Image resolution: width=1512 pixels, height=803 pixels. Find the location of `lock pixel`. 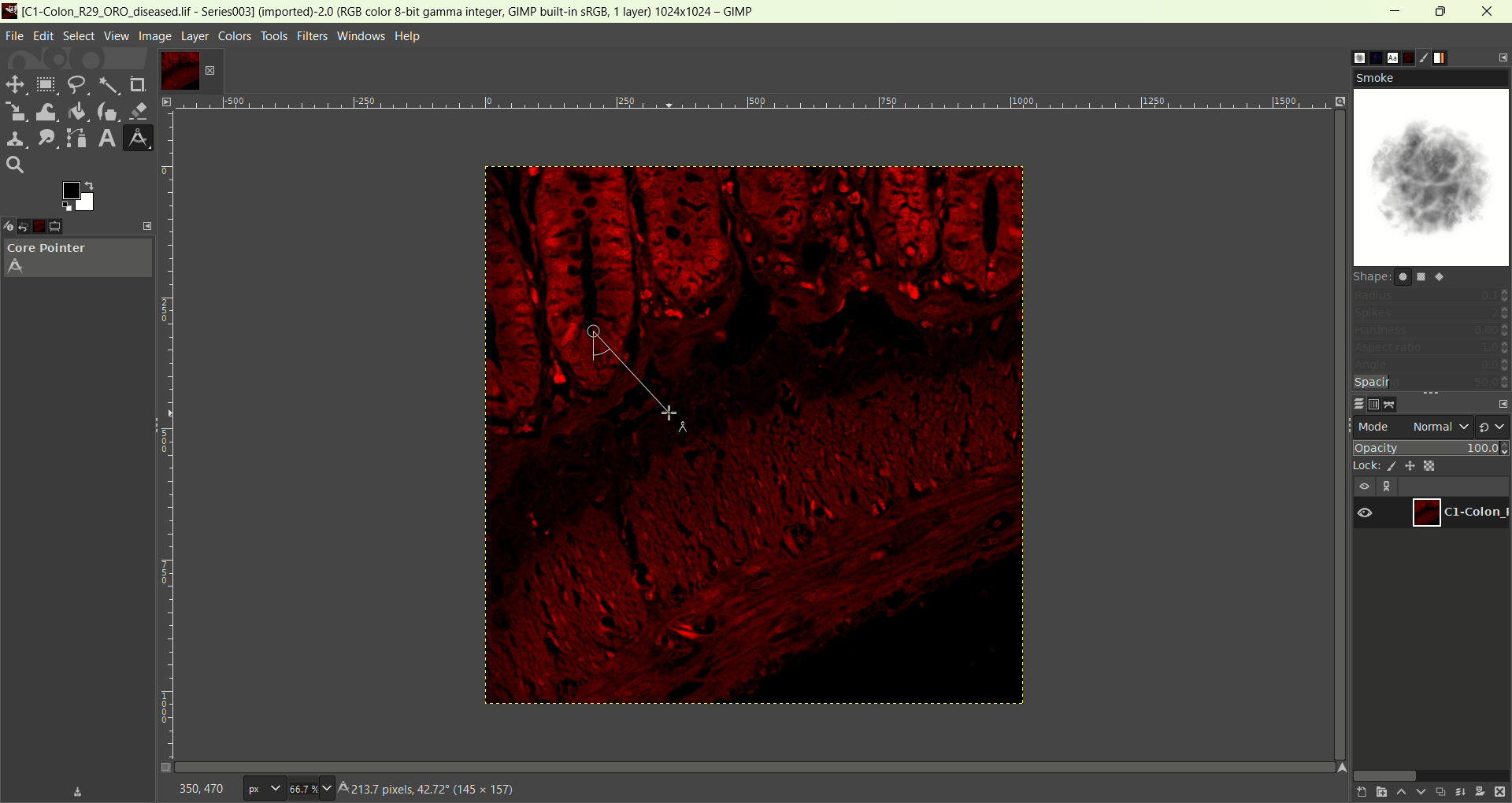

lock pixel is located at coordinates (1388, 467).